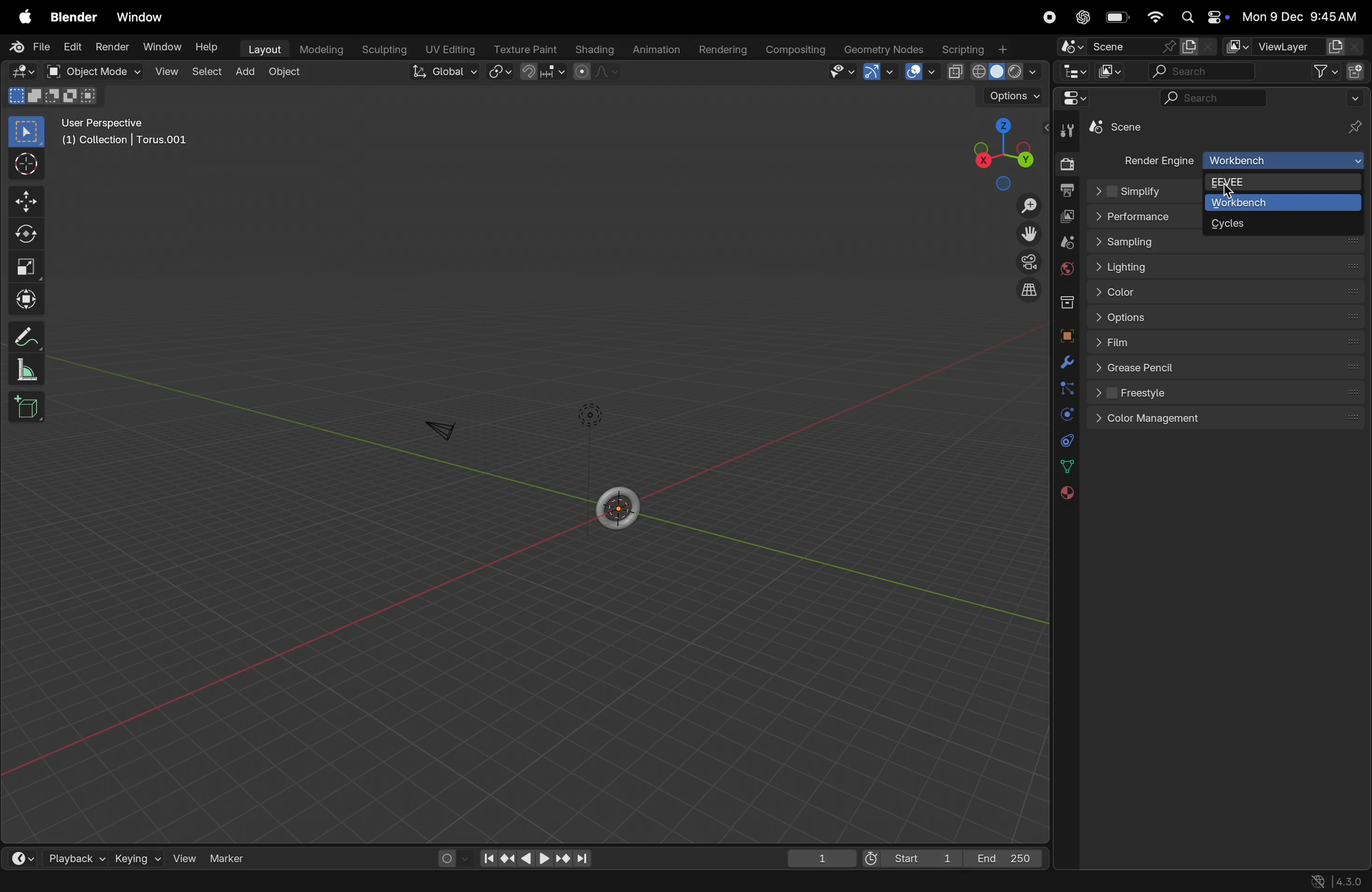  I want to click on Transform, so click(29, 297).